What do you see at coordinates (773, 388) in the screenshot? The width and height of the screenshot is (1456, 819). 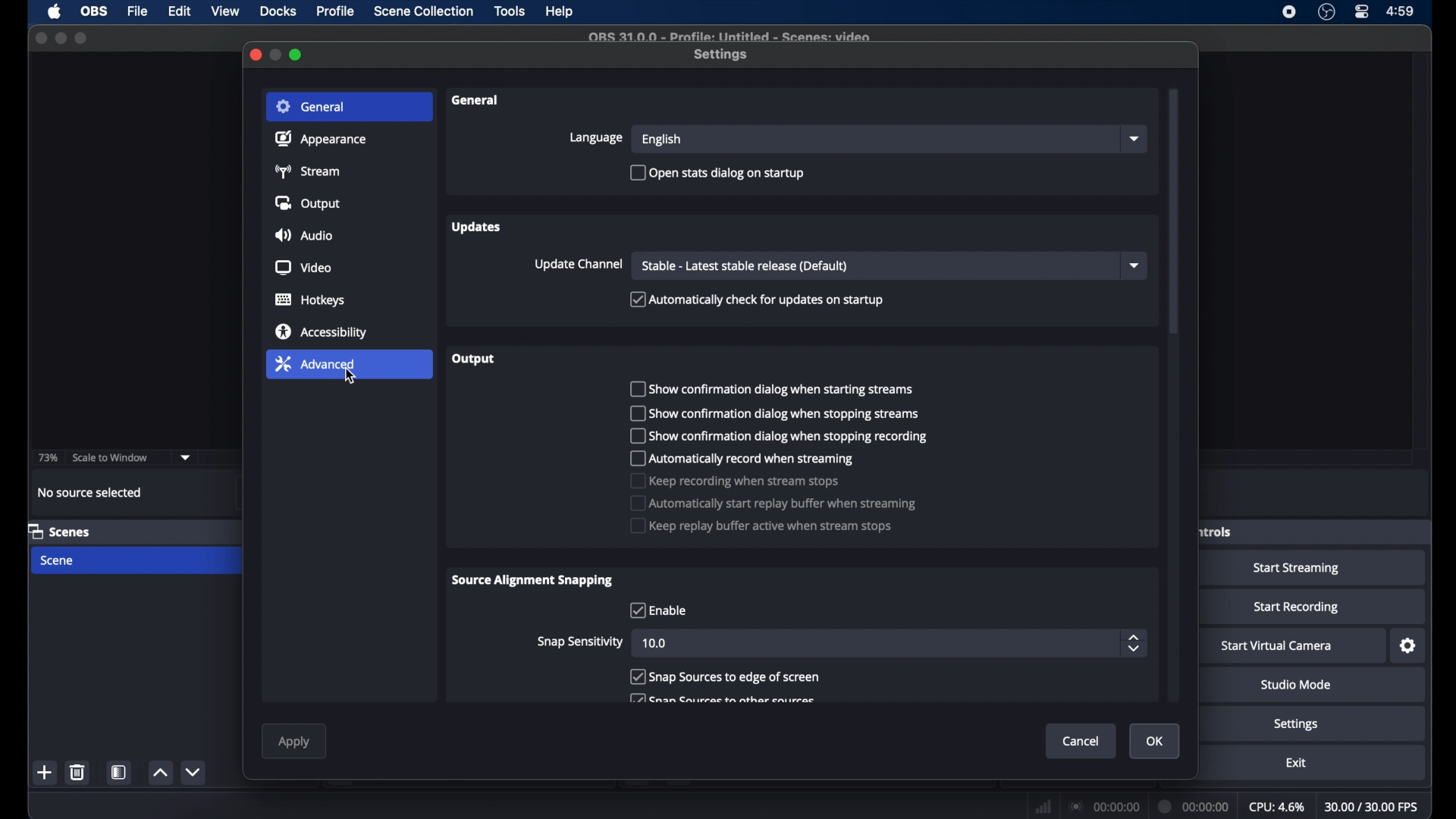 I see `show confirmation dialog when starting streams` at bounding box center [773, 388].